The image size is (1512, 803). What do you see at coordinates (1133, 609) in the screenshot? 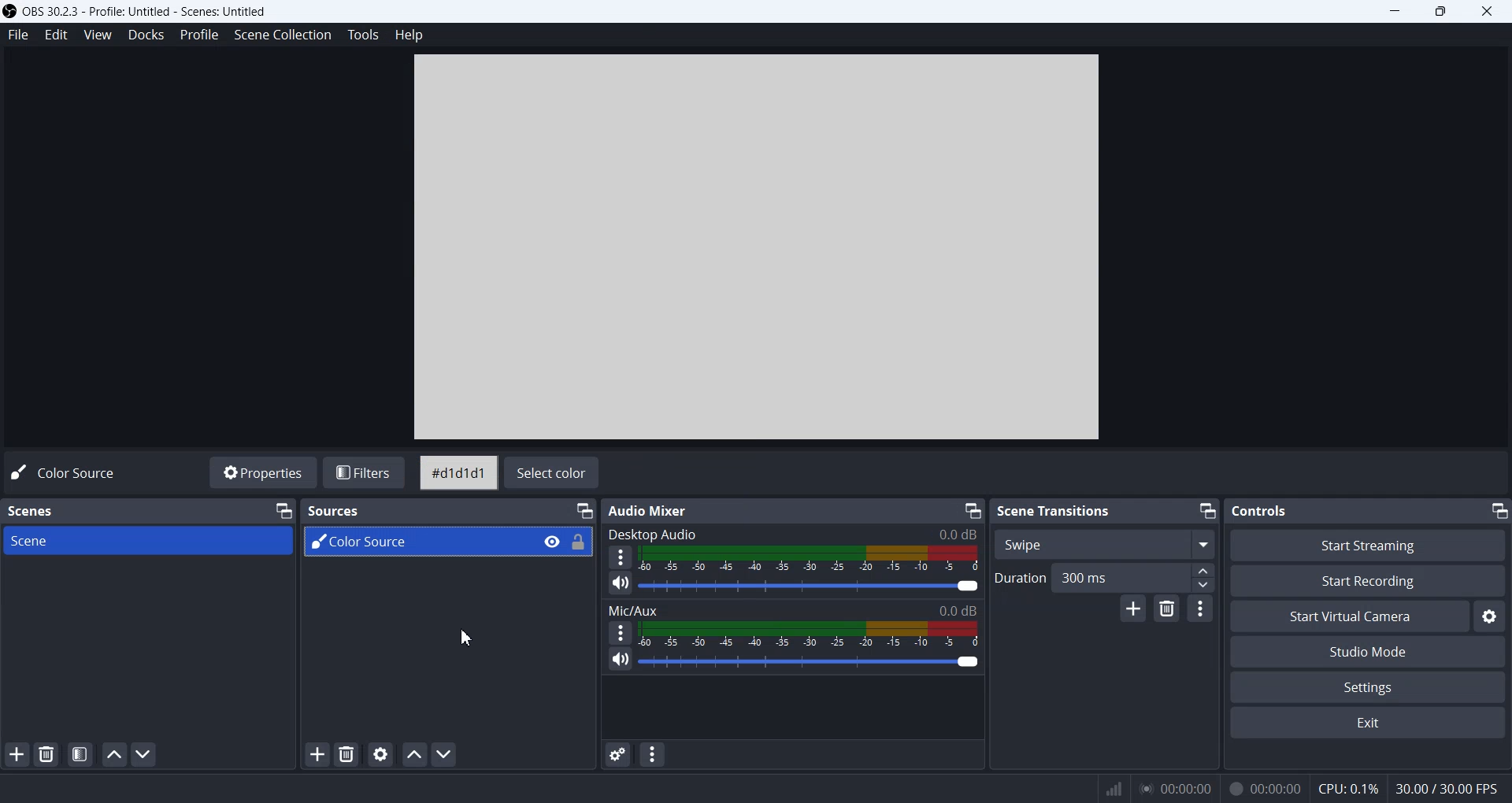
I see `Add configurable transition` at bounding box center [1133, 609].